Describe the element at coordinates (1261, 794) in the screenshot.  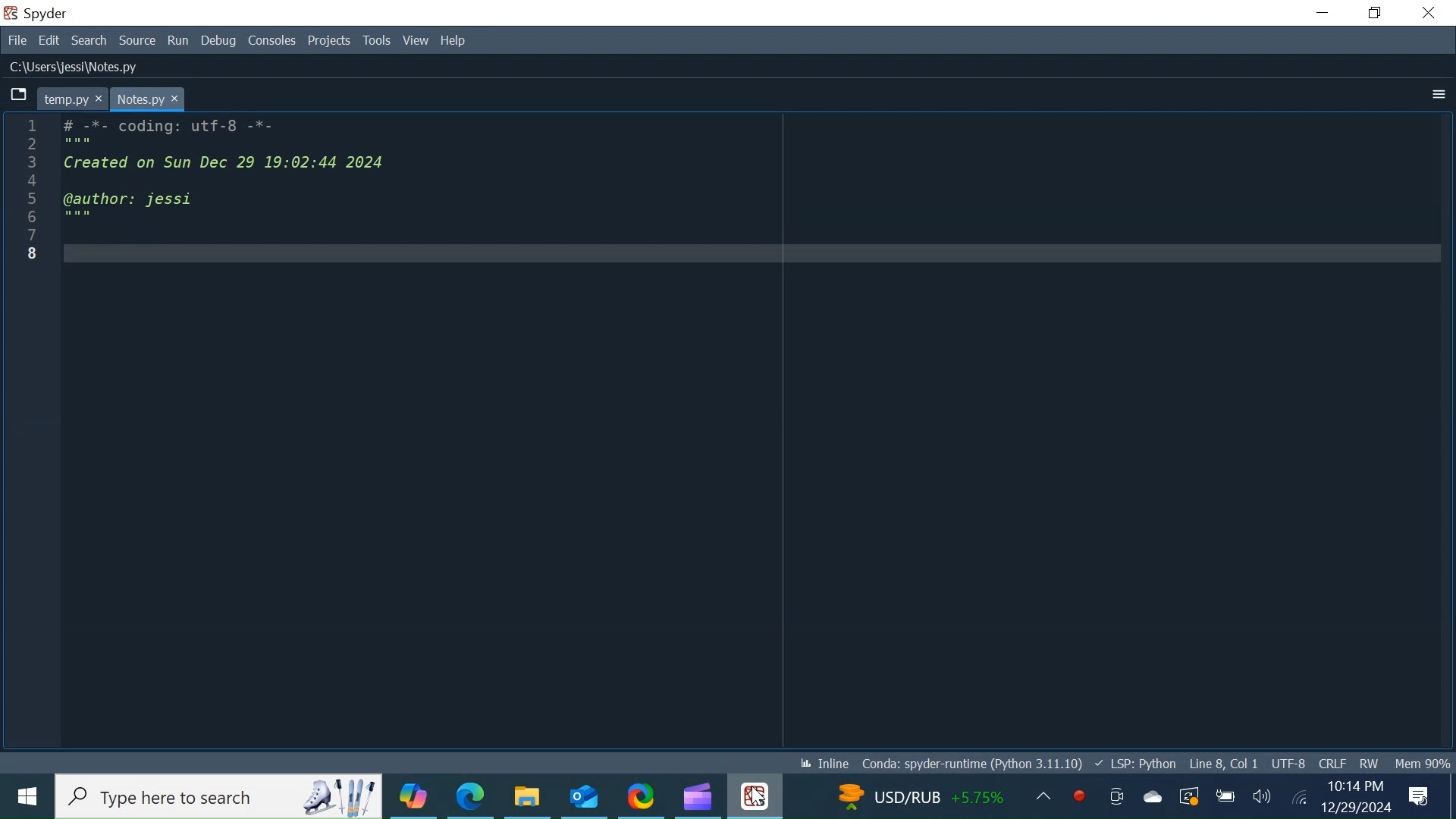
I see `Speaker` at that location.